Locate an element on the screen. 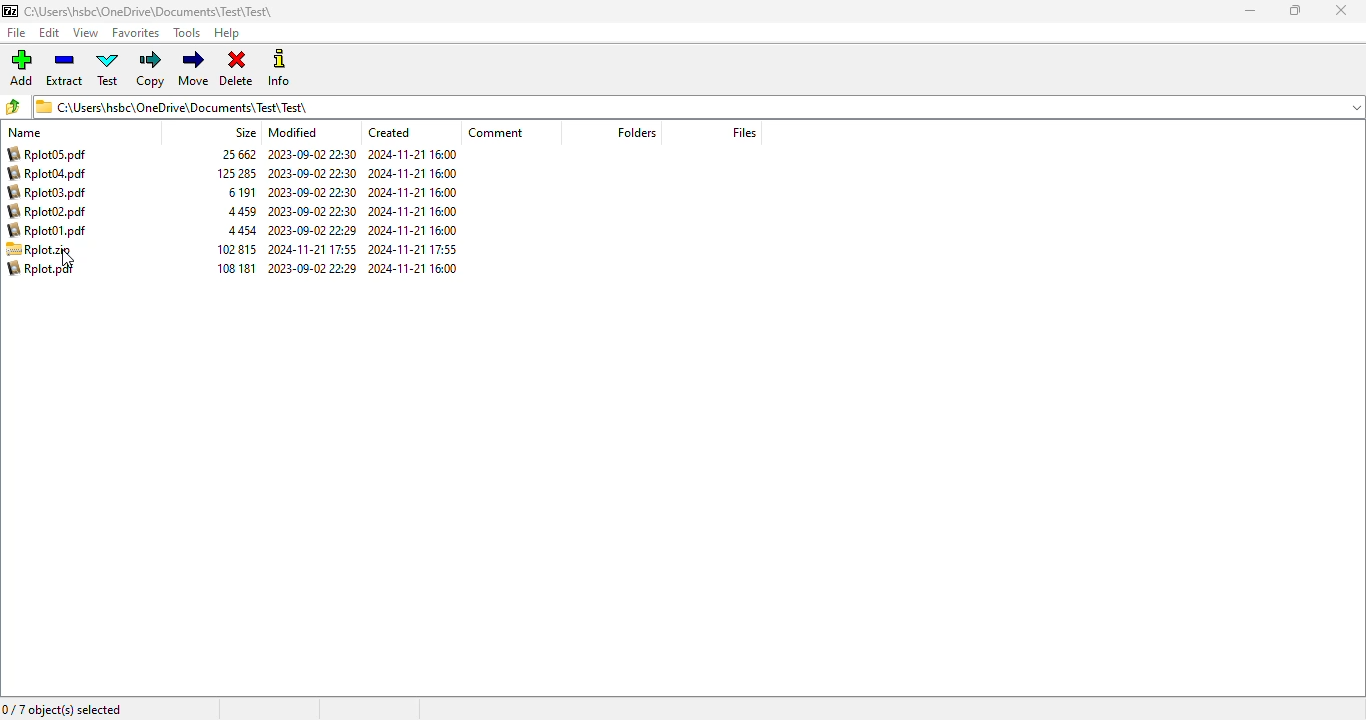 The width and height of the screenshot is (1366, 720). 108 181 is located at coordinates (233, 268).